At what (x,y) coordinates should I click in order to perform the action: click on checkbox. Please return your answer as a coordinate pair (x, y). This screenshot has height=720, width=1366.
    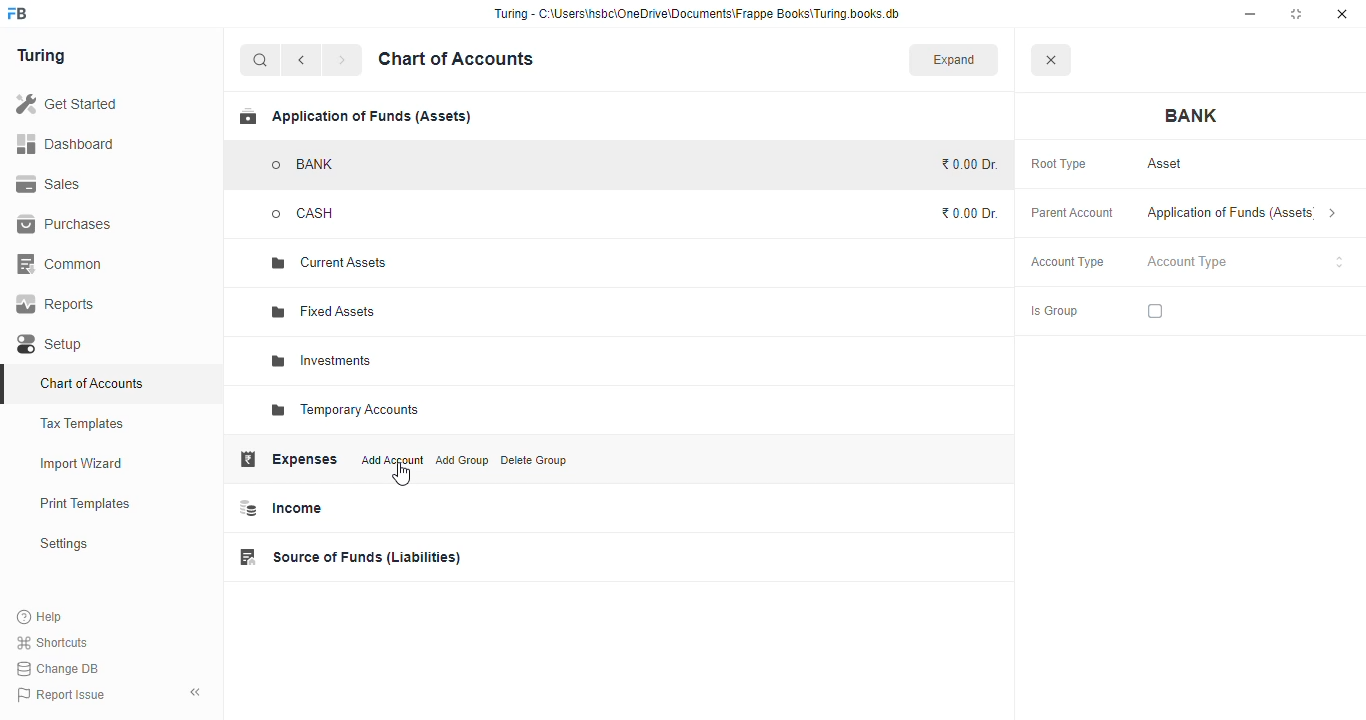
    Looking at the image, I should click on (1155, 311).